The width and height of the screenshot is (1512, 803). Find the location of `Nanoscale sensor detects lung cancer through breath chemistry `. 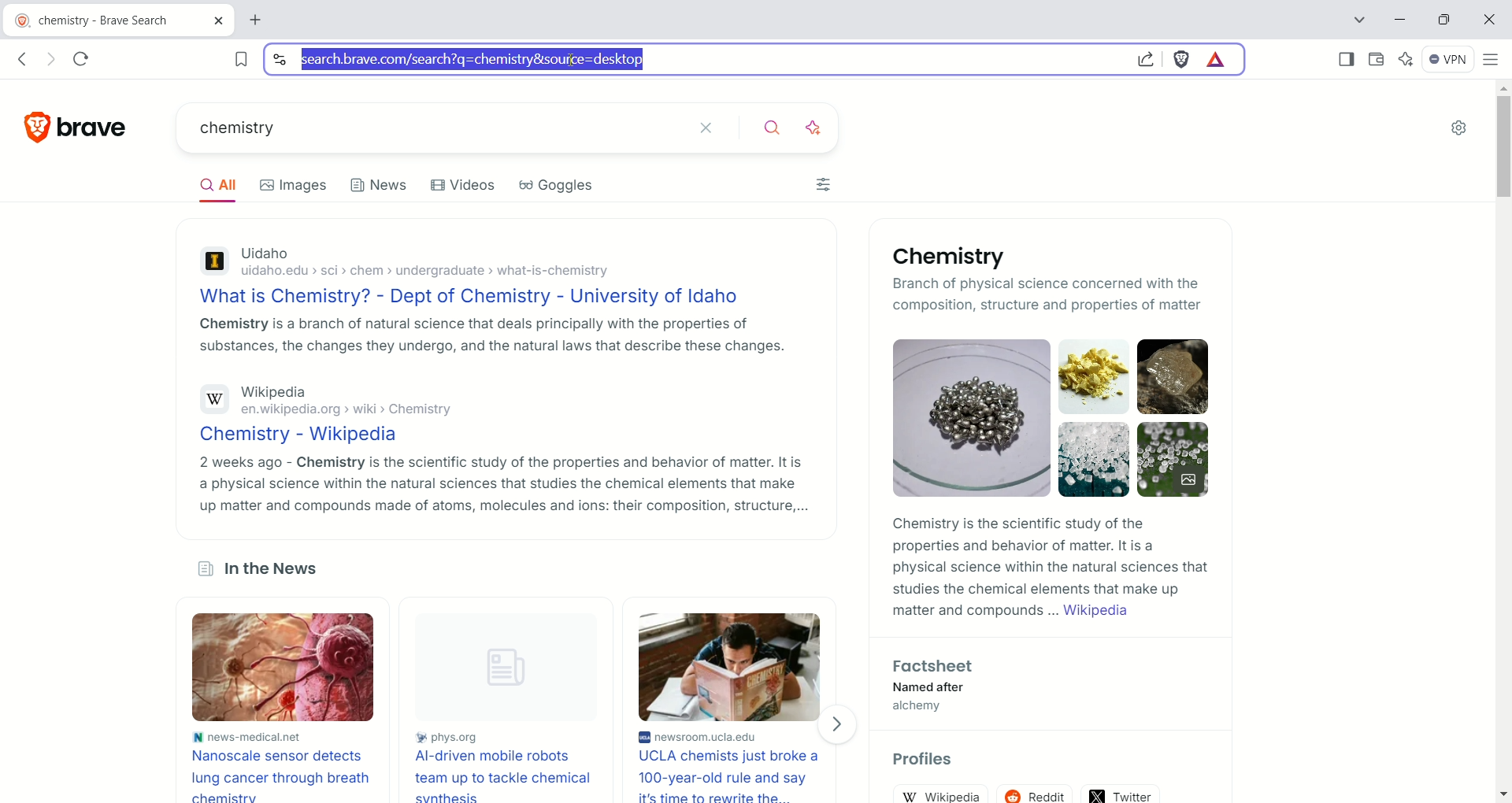

Nanoscale sensor detects lung cancer through breath chemistry  is located at coordinates (281, 774).